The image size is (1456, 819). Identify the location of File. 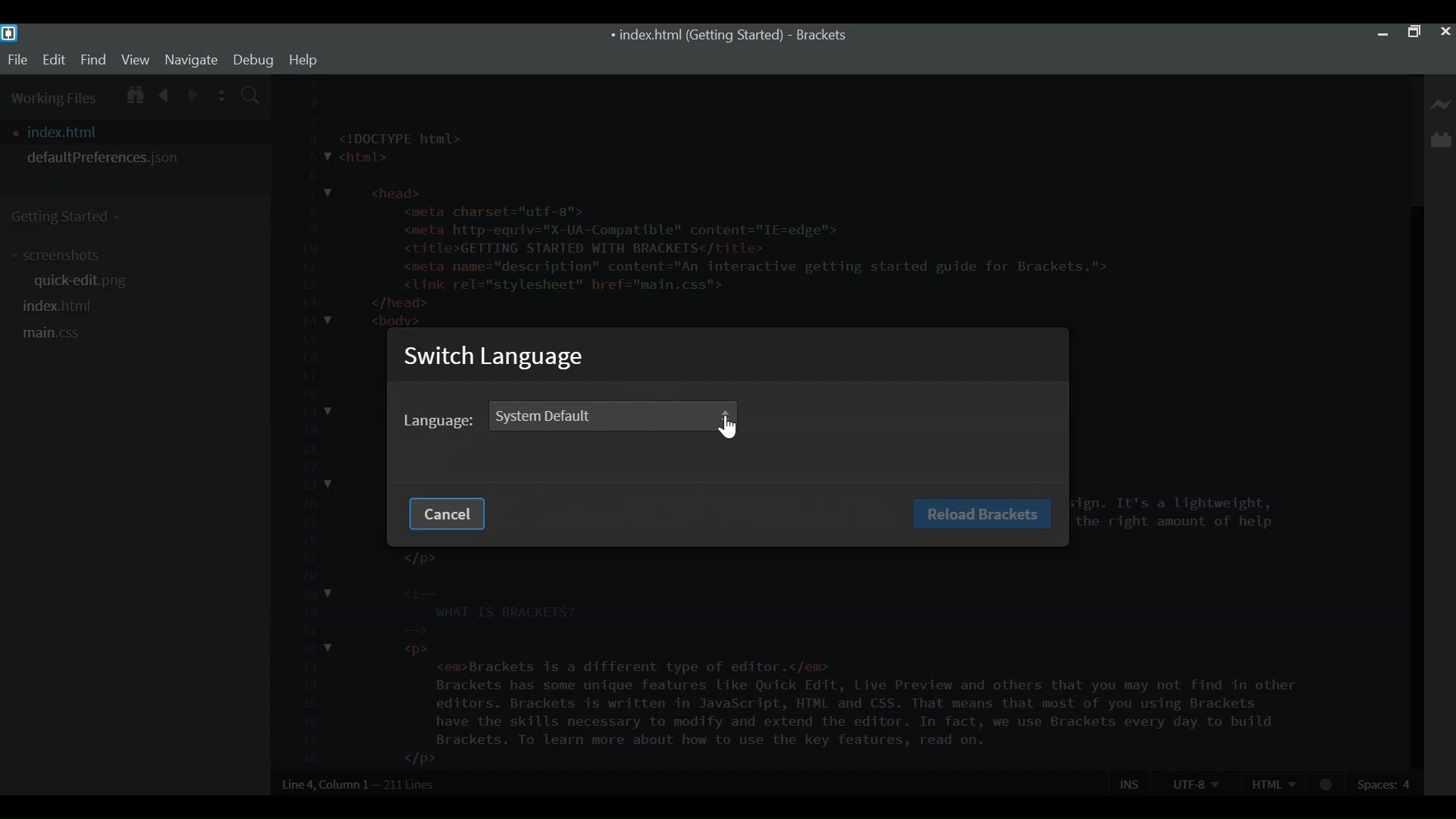
(17, 60).